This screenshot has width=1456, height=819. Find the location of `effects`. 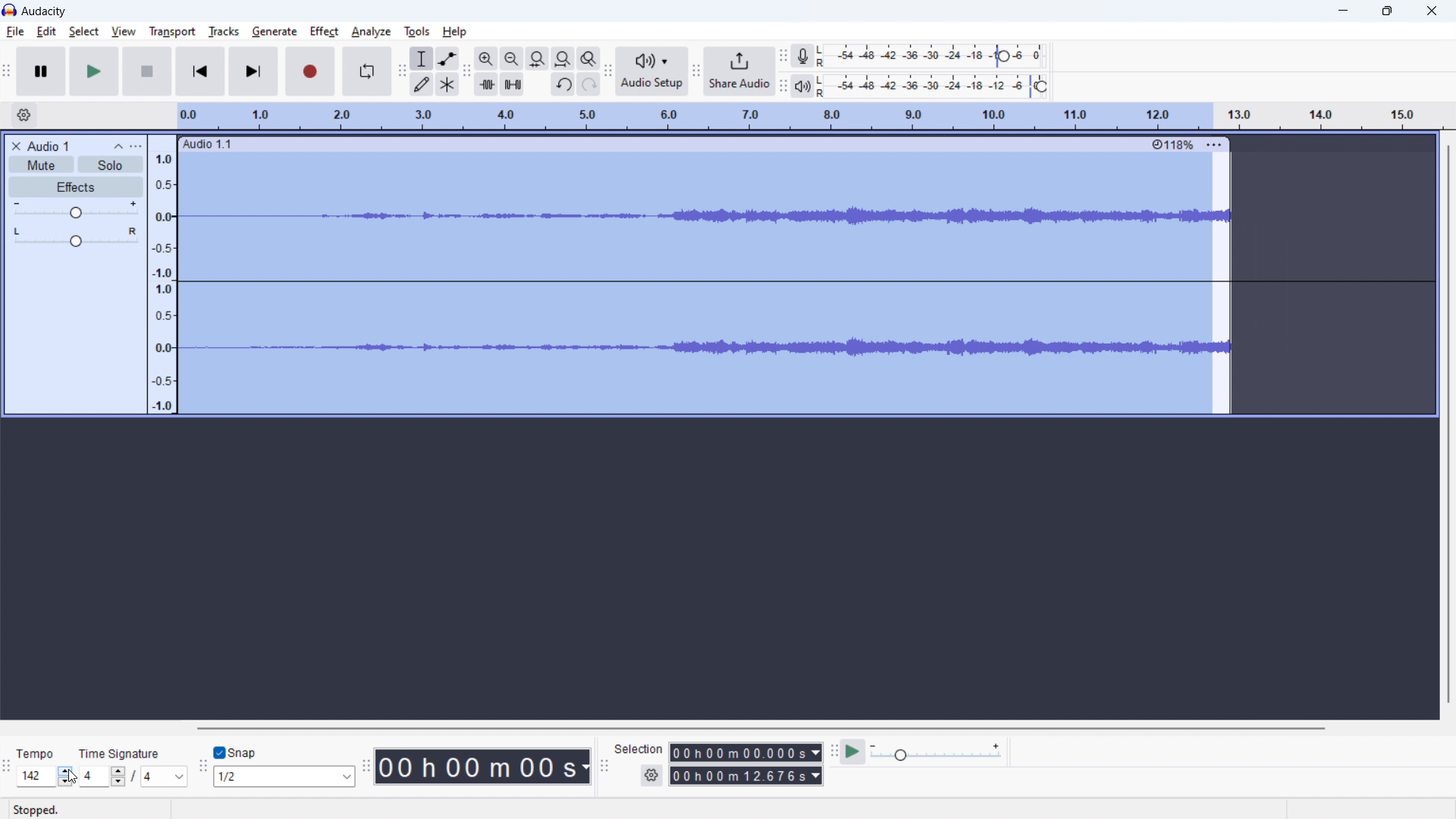

effects is located at coordinates (77, 187).